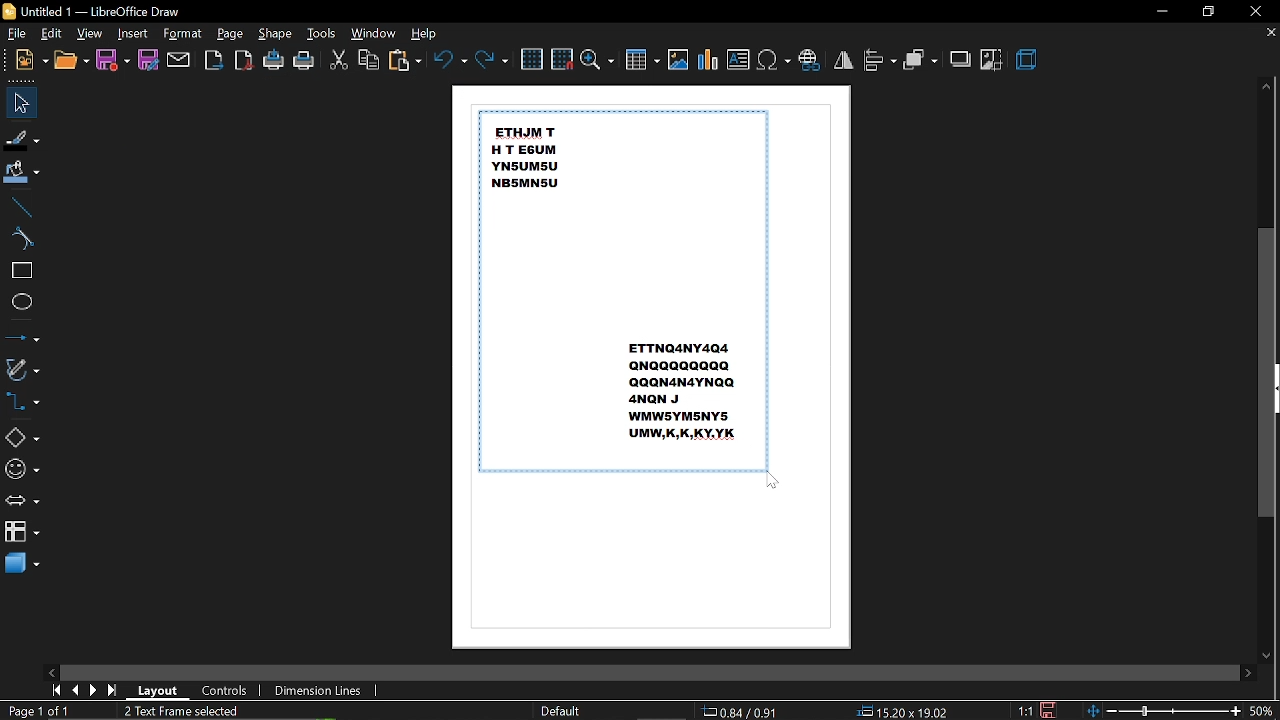 The width and height of the screenshot is (1280, 720). I want to click on Cursor, so click(772, 480).